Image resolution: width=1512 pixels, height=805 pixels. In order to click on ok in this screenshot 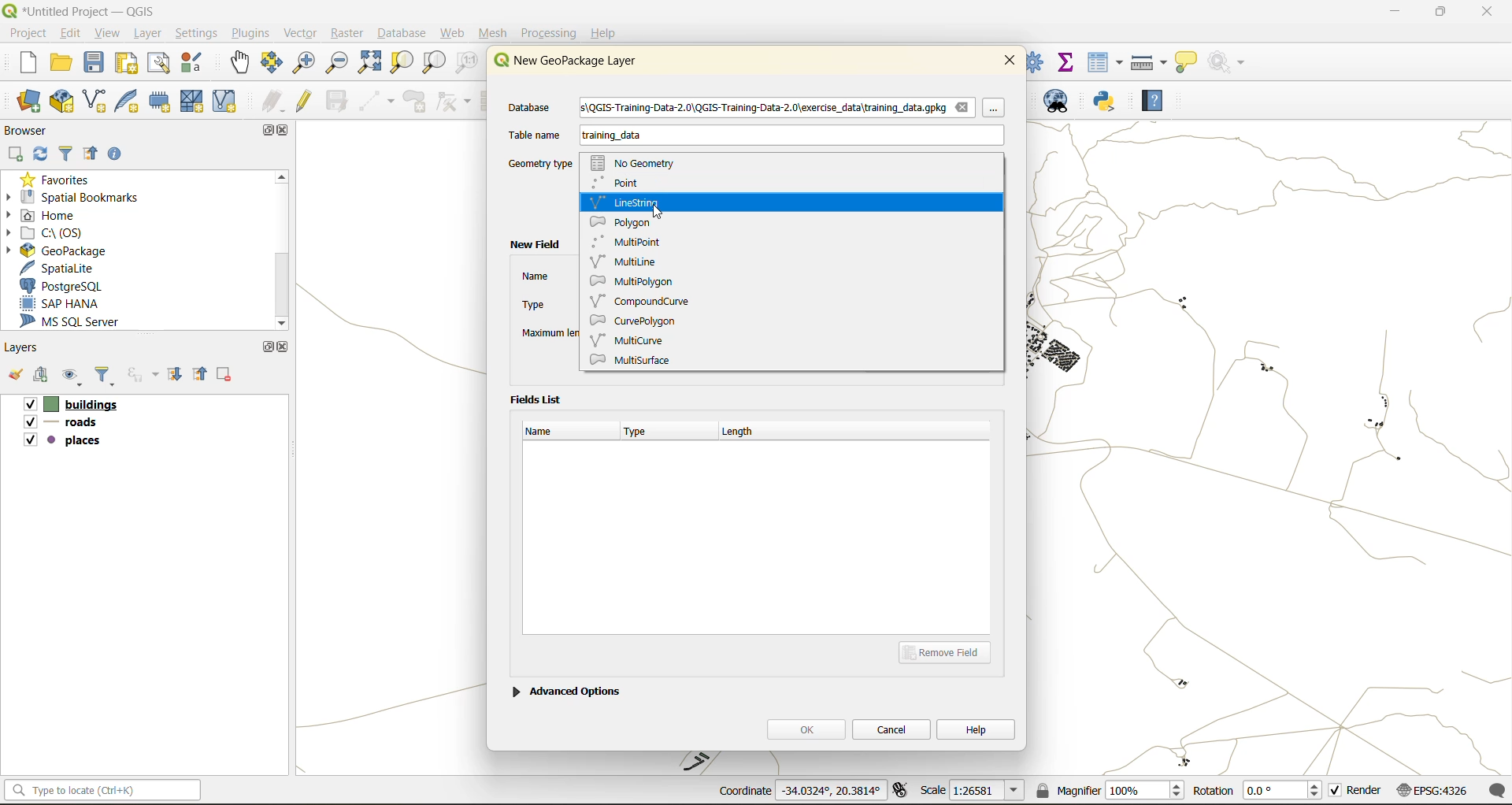, I will do `click(806, 729)`.